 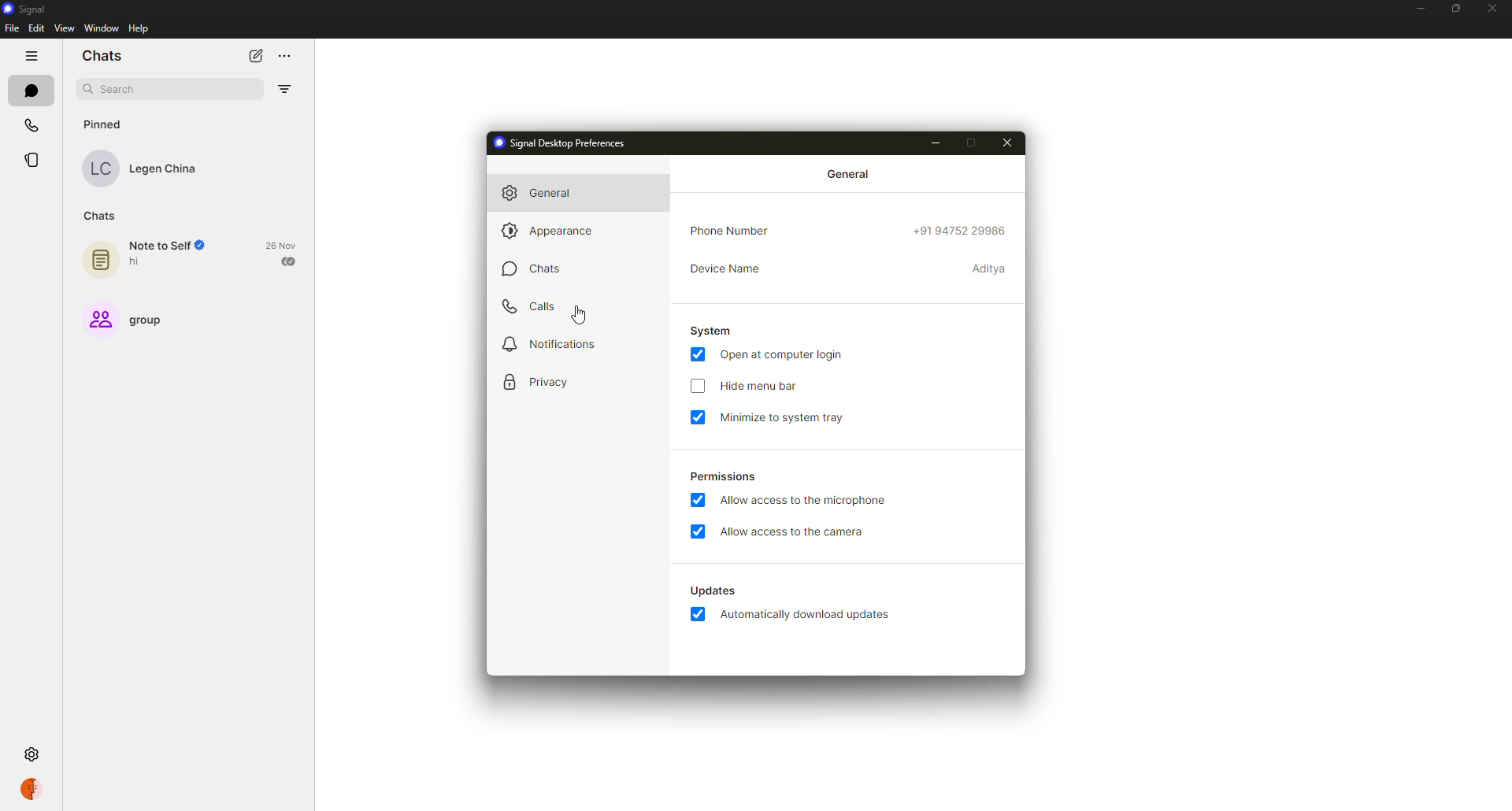 What do you see at coordinates (98, 261) in the screenshot?
I see `Notes` at bounding box center [98, 261].